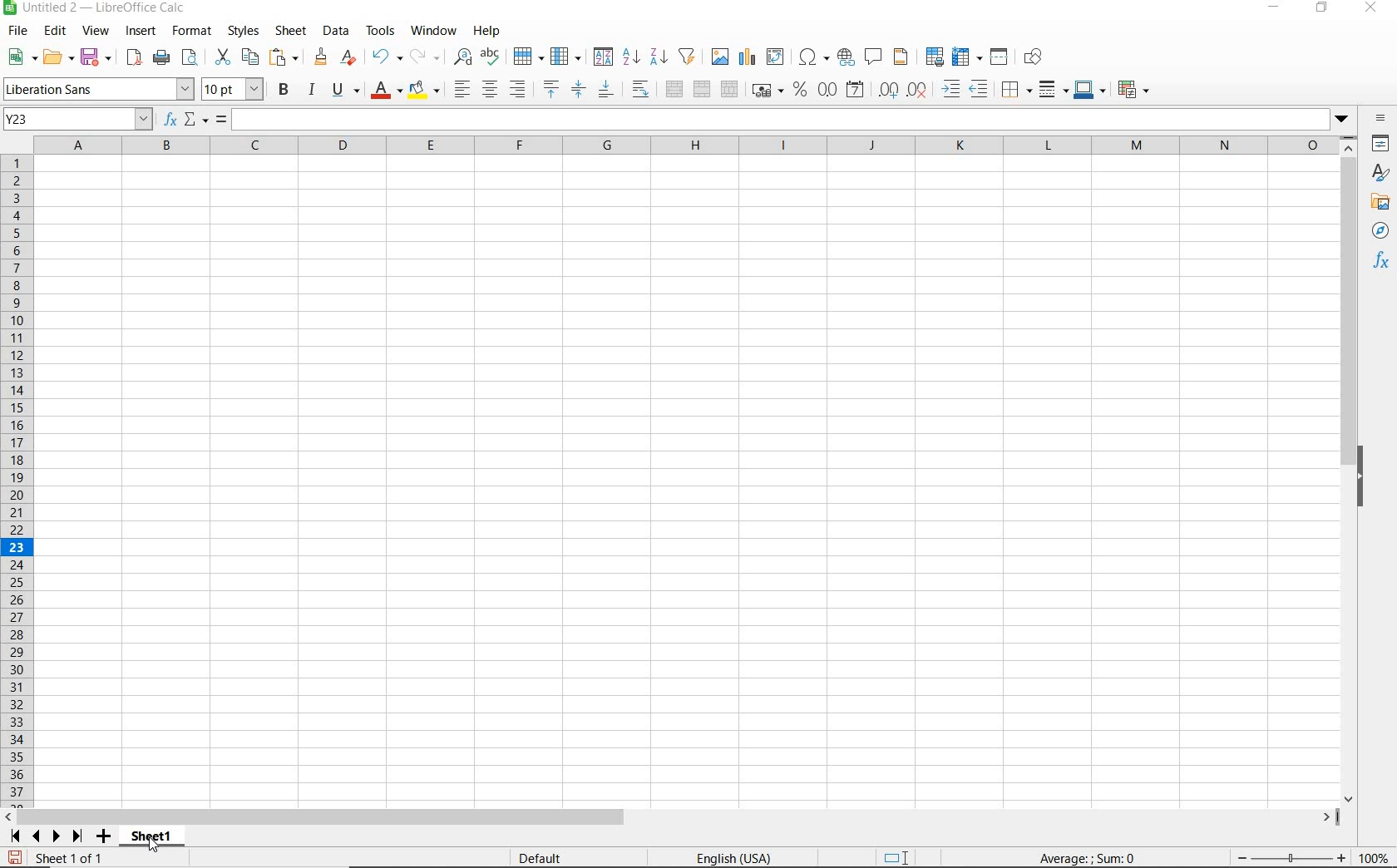 The height and width of the screenshot is (868, 1397). What do you see at coordinates (347, 57) in the screenshot?
I see `CLEAR DIRECT FORMATTING` at bounding box center [347, 57].